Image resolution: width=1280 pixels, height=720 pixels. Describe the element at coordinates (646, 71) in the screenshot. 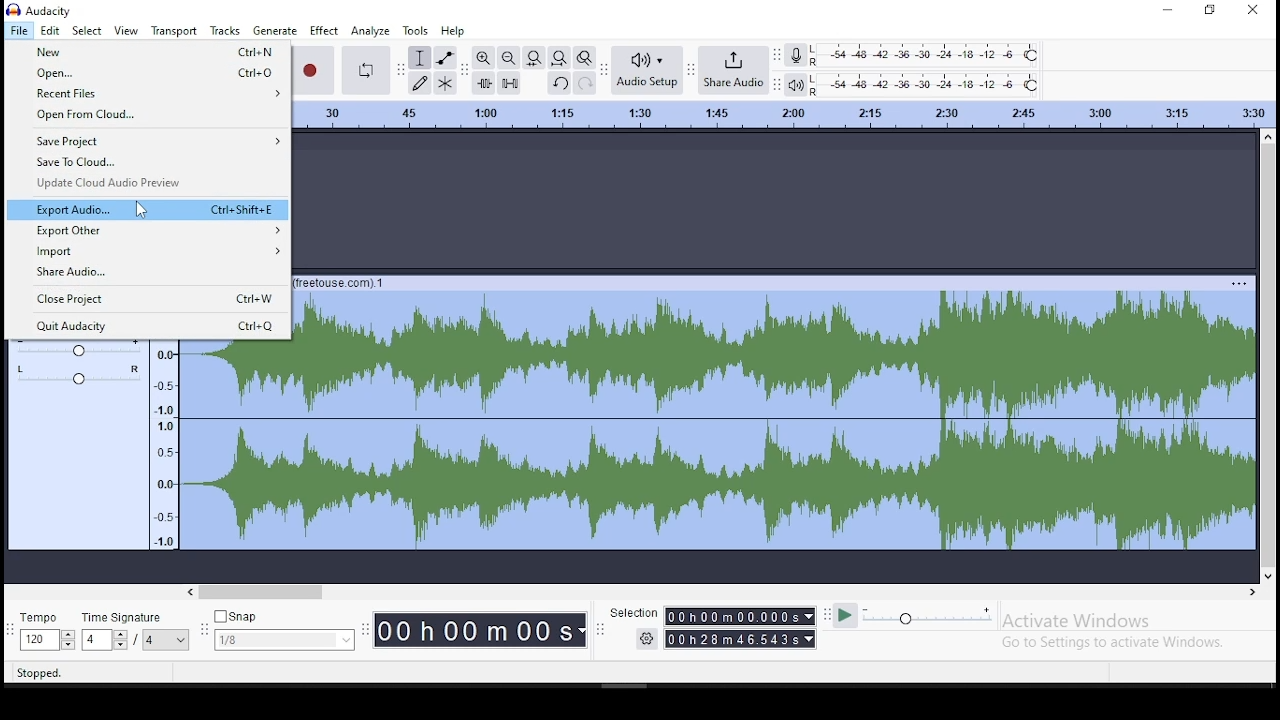

I see `audio setup` at that location.